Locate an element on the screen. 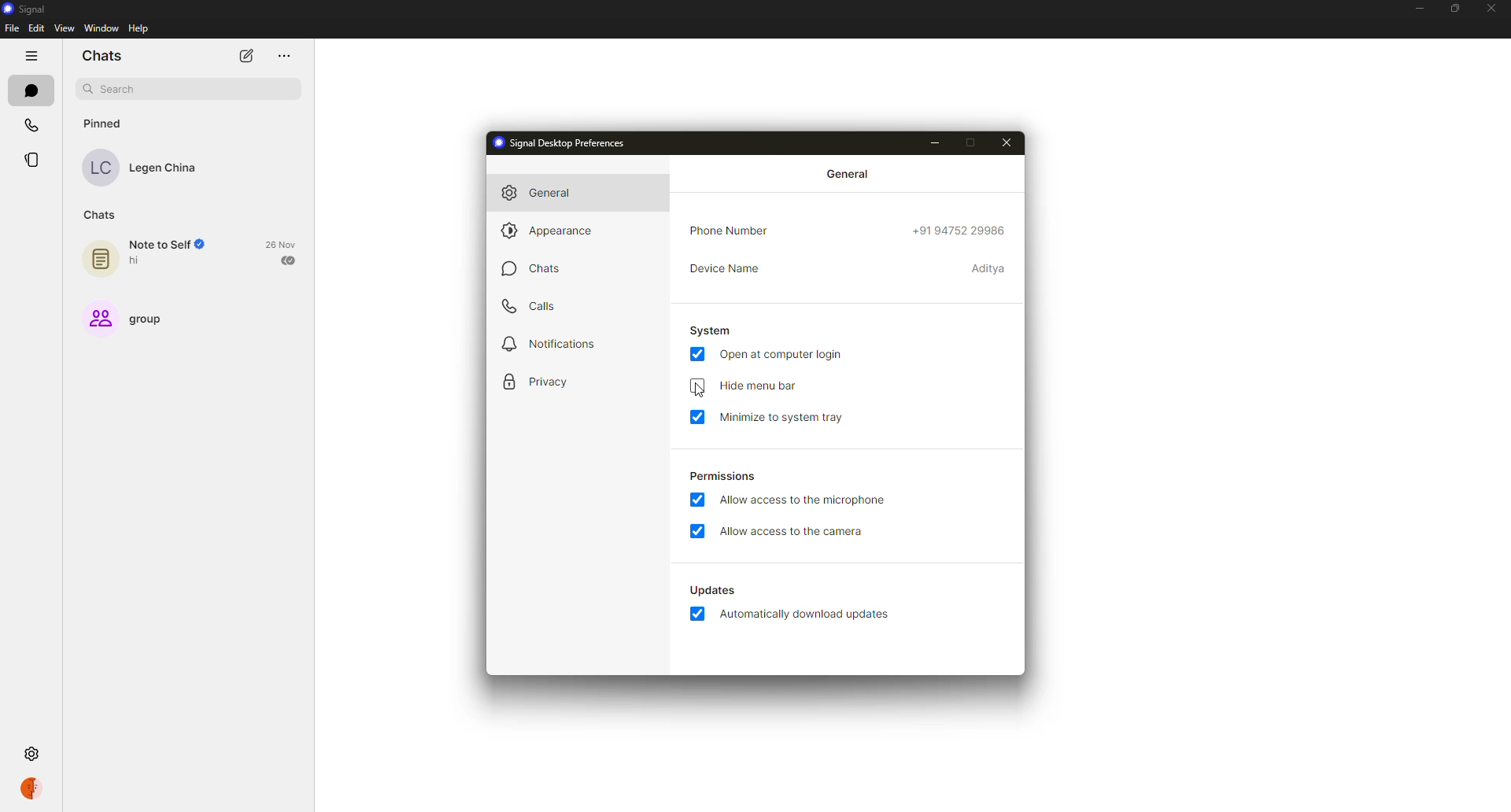  privacy is located at coordinates (539, 383).